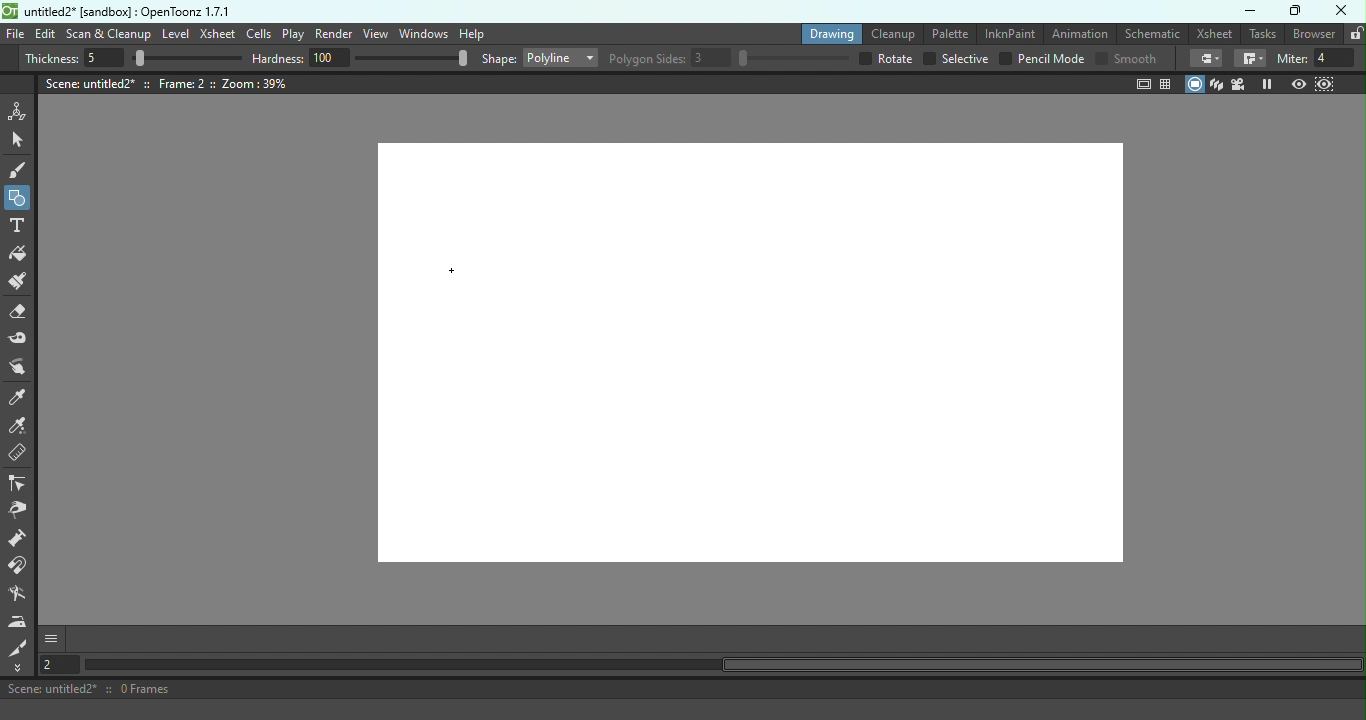  Describe the element at coordinates (20, 227) in the screenshot. I see `Type tool` at that location.